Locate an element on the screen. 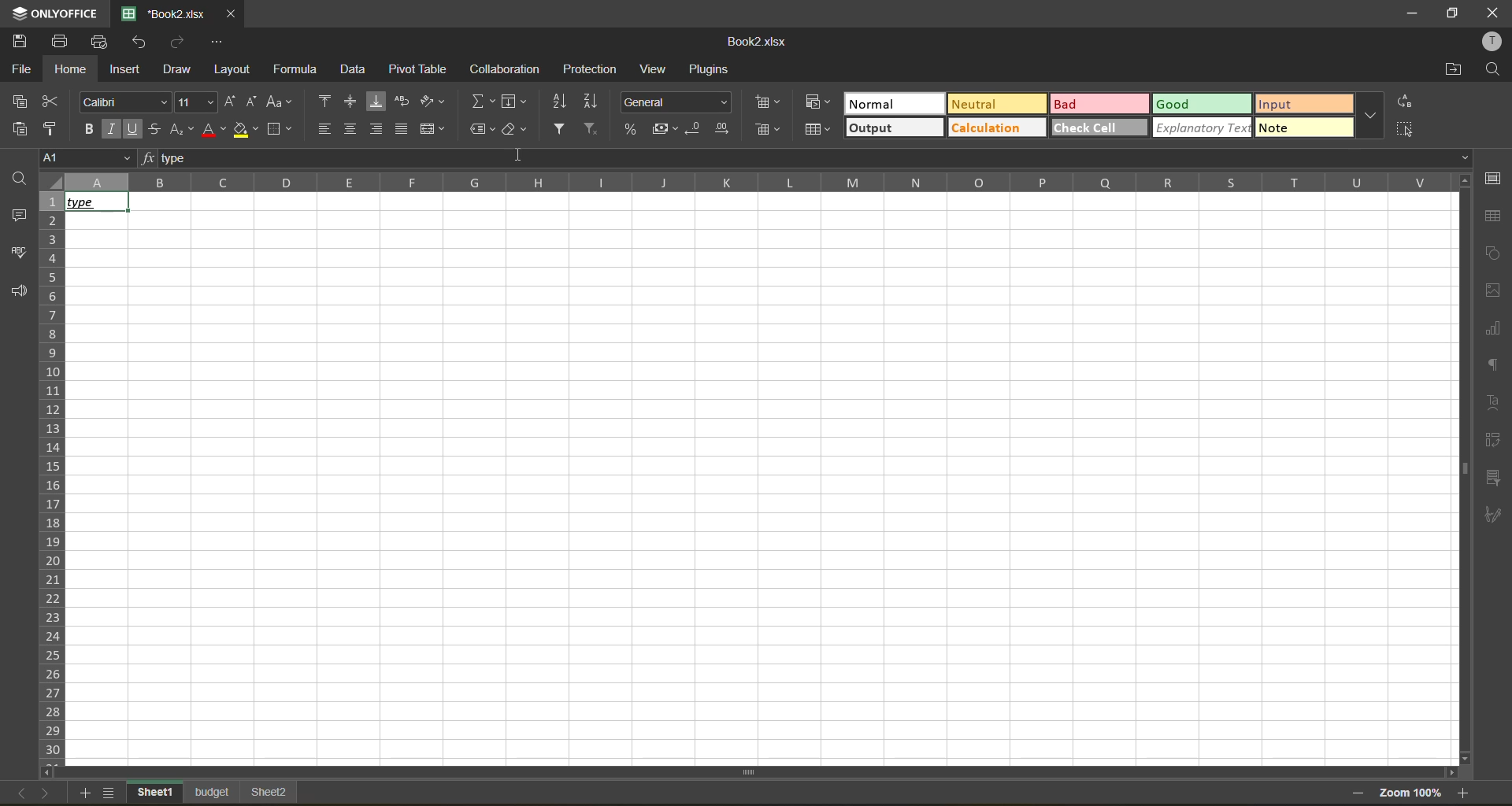 The width and height of the screenshot is (1512, 806). summation is located at coordinates (478, 102).